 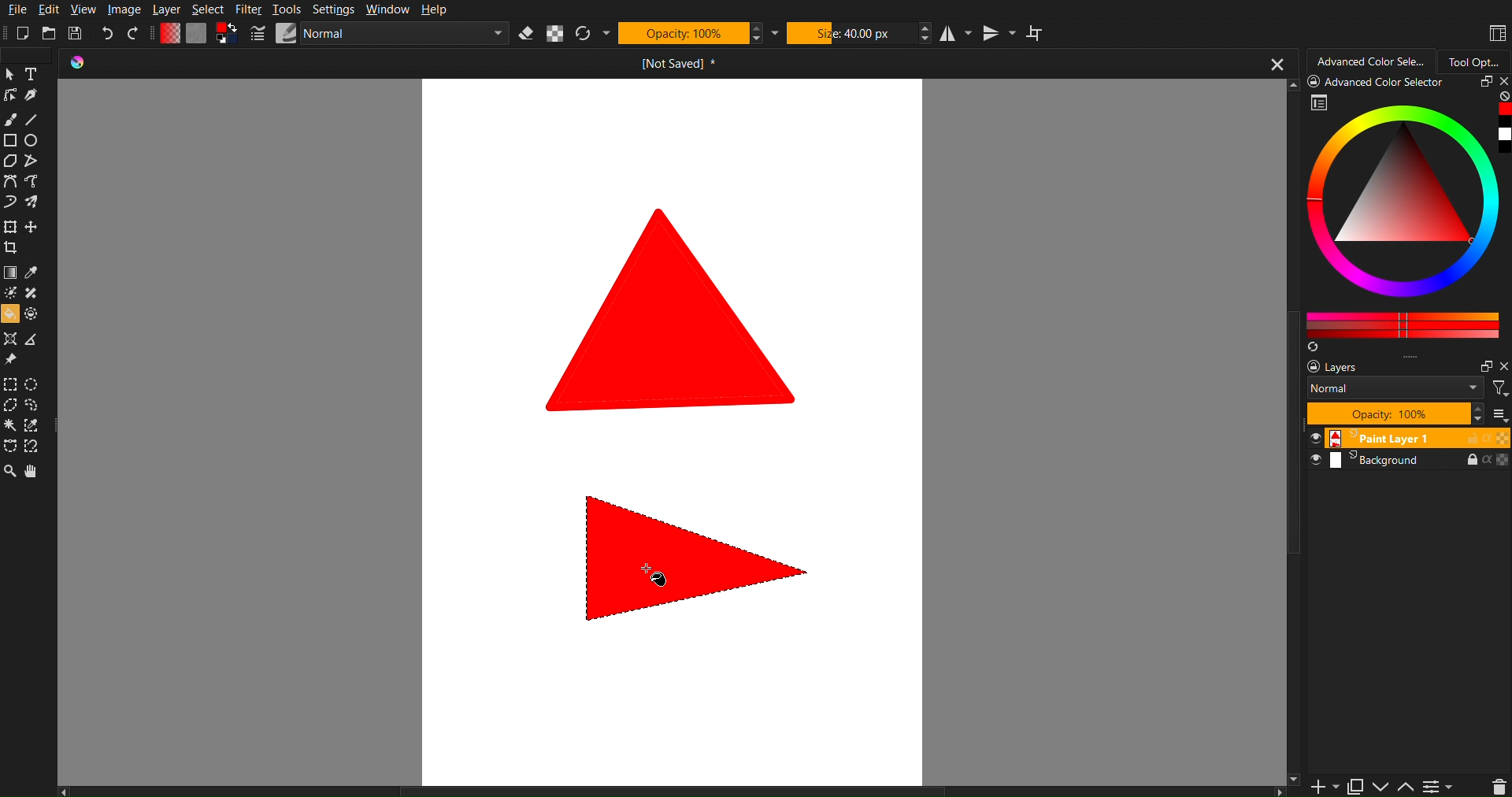 What do you see at coordinates (696, 555) in the screenshot?
I see `Filled Shape` at bounding box center [696, 555].